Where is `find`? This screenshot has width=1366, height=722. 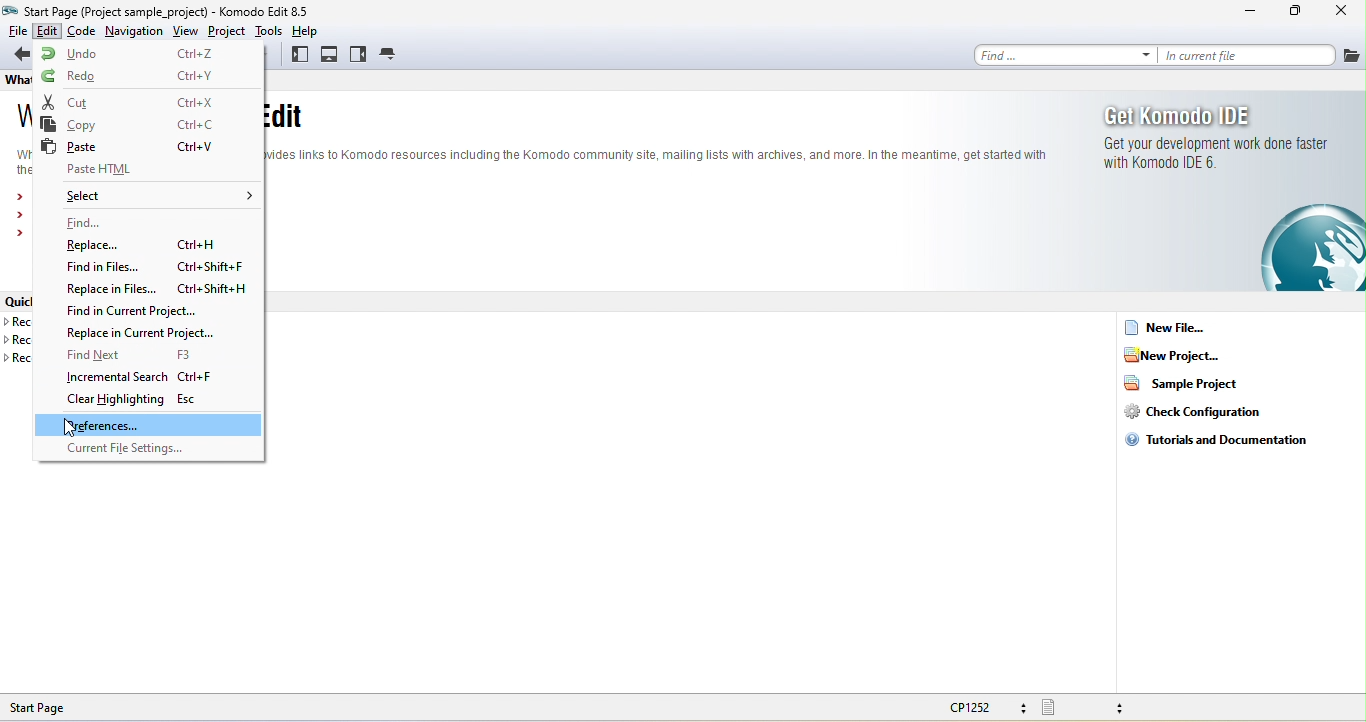 find is located at coordinates (94, 221).